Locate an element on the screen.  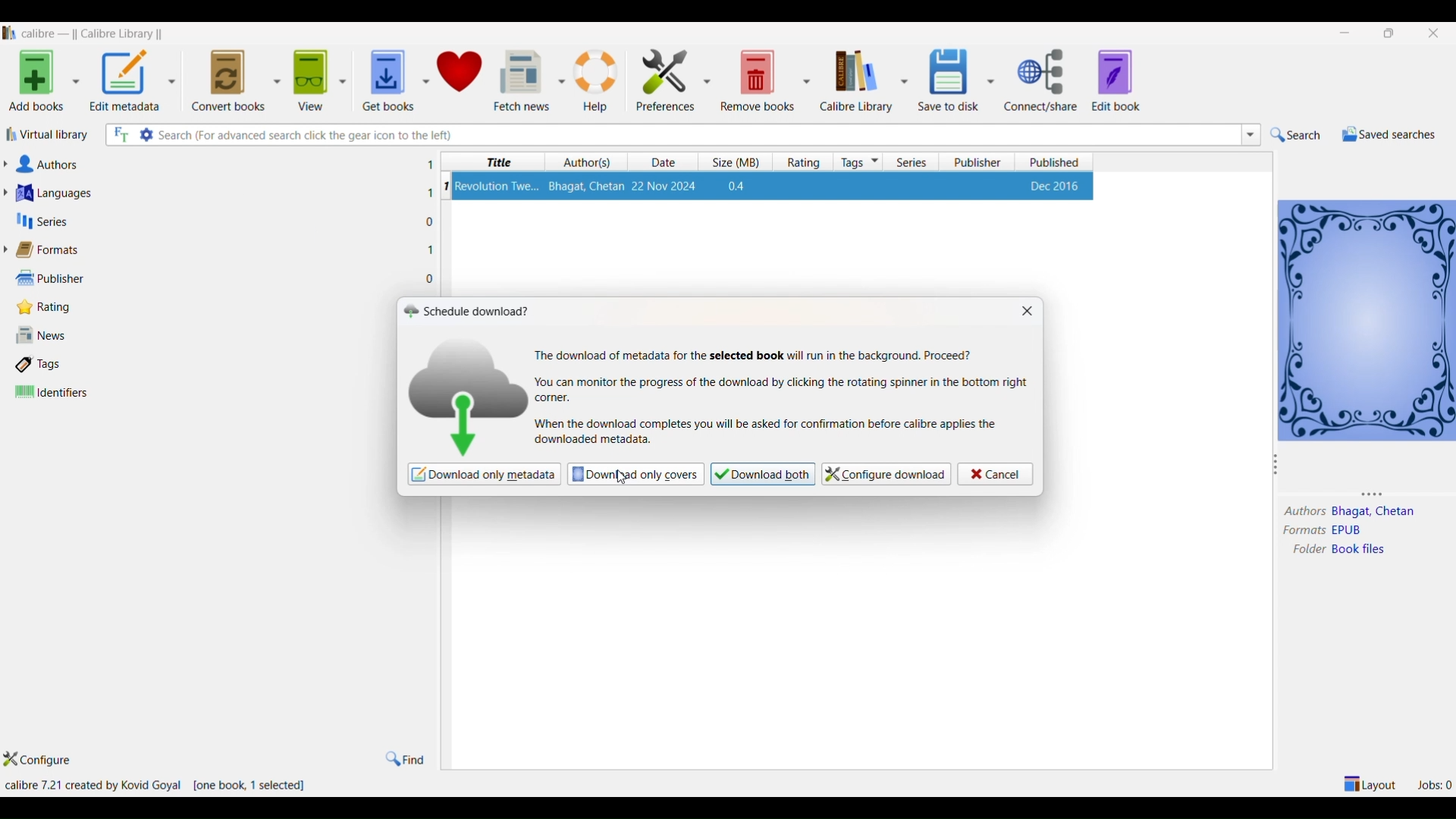
authors is located at coordinates (1304, 512).